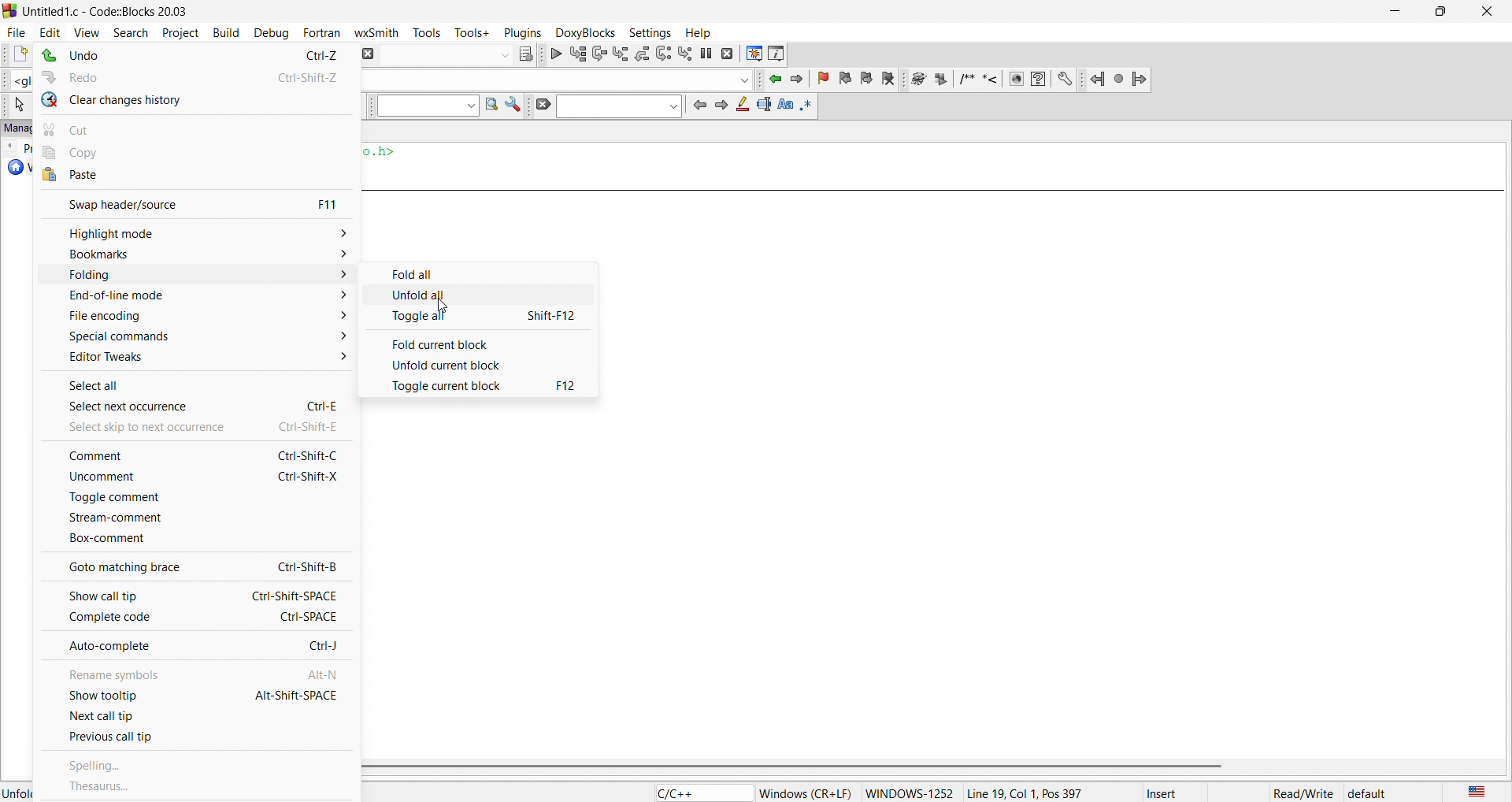  What do you see at coordinates (917, 79) in the screenshot?
I see `run doxy wizard` at bounding box center [917, 79].